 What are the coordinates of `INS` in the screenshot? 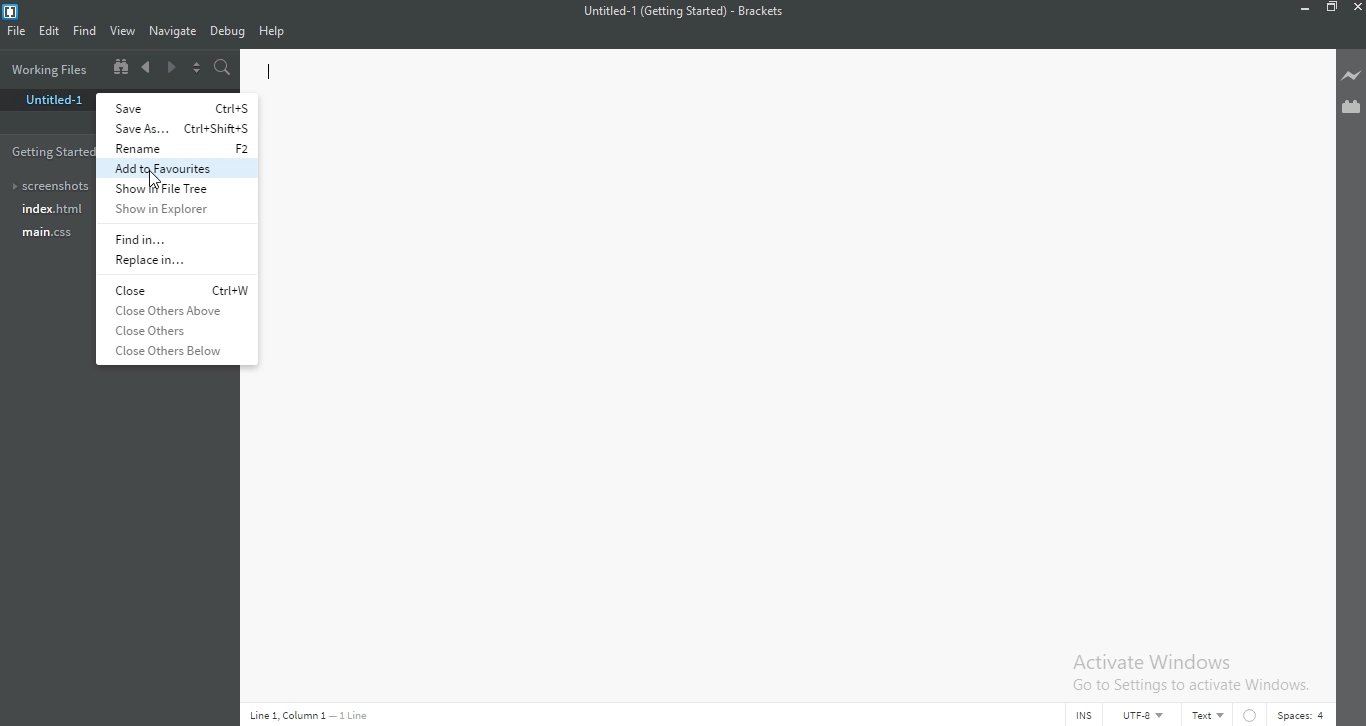 It's located at (1085, 717).